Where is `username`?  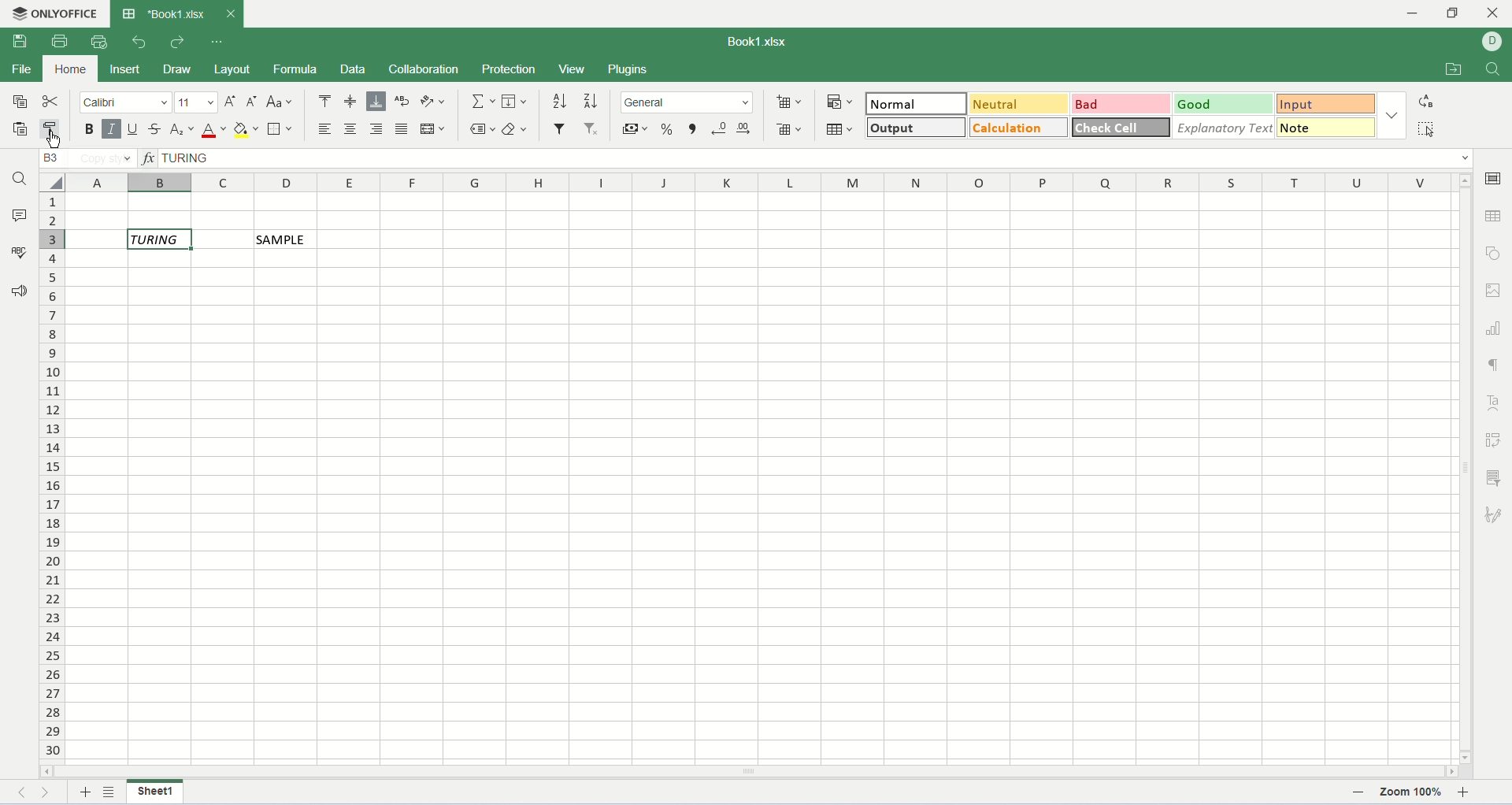 username is located at coordinates (1492, 42).